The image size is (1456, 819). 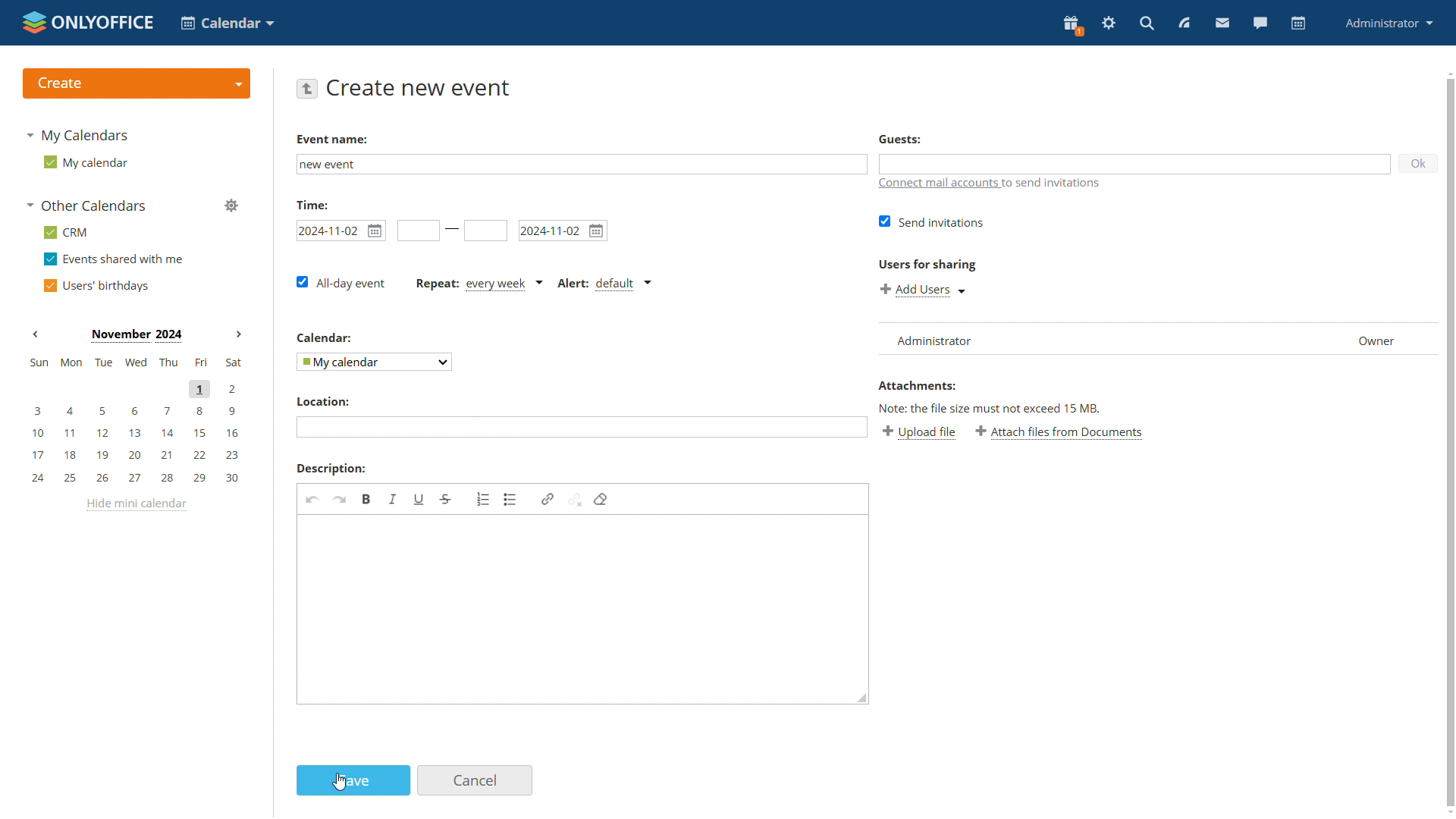 What do you see at coordinates (1299, 24) in the screenshot?
I see `calendar` at bounding box center [1299, 24].